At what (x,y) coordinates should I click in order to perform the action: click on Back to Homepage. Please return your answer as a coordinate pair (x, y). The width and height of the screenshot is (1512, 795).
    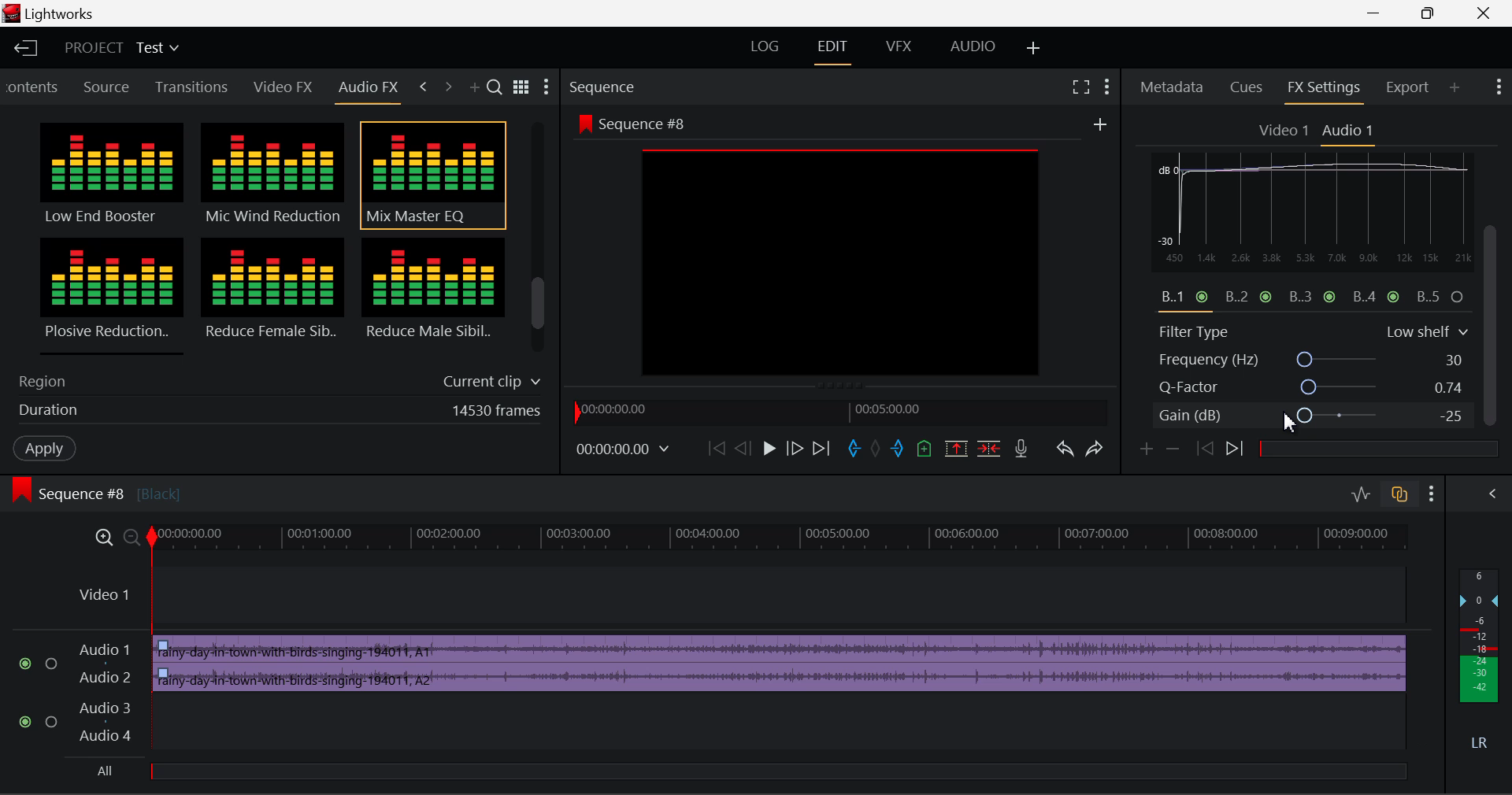
    Looking at the image, I should click on (24, 48).